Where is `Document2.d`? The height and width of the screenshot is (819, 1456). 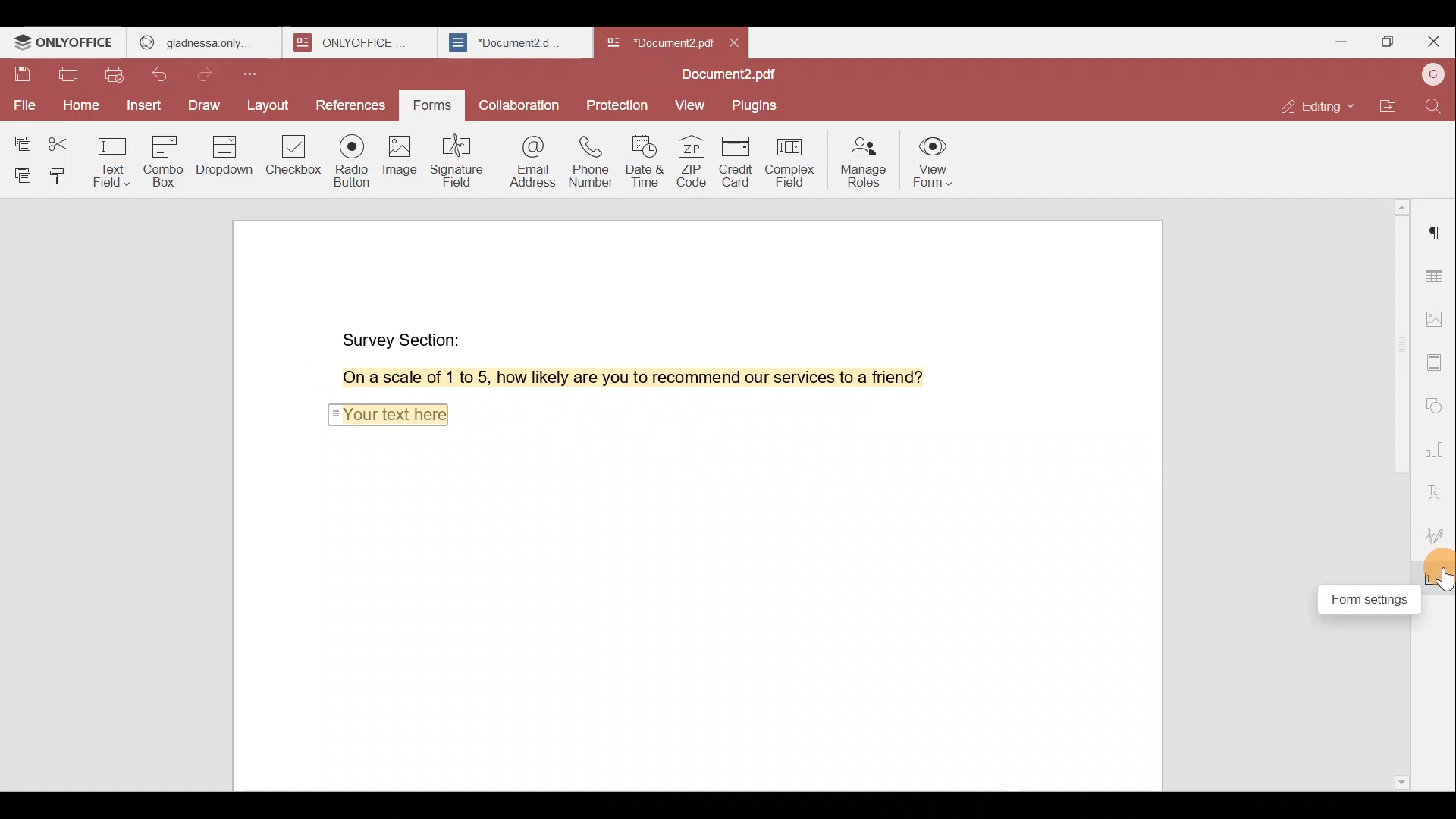
Document2.d is located at coordinates (514, 43).